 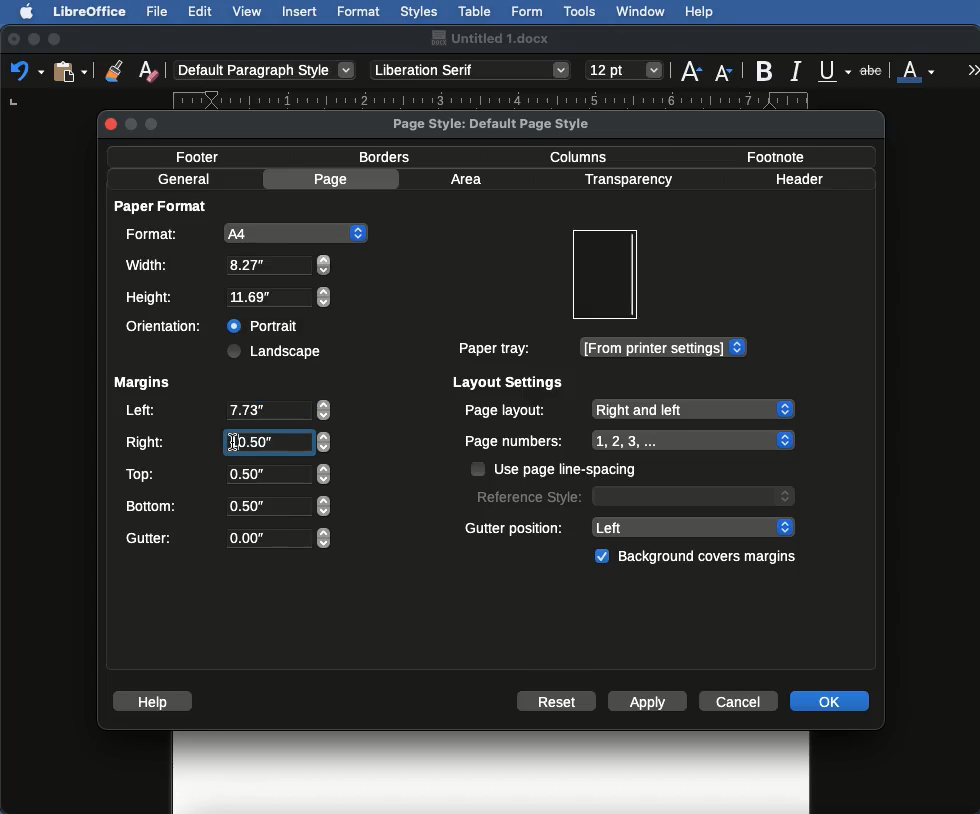 I want to click on , so click(x=234, y=441).